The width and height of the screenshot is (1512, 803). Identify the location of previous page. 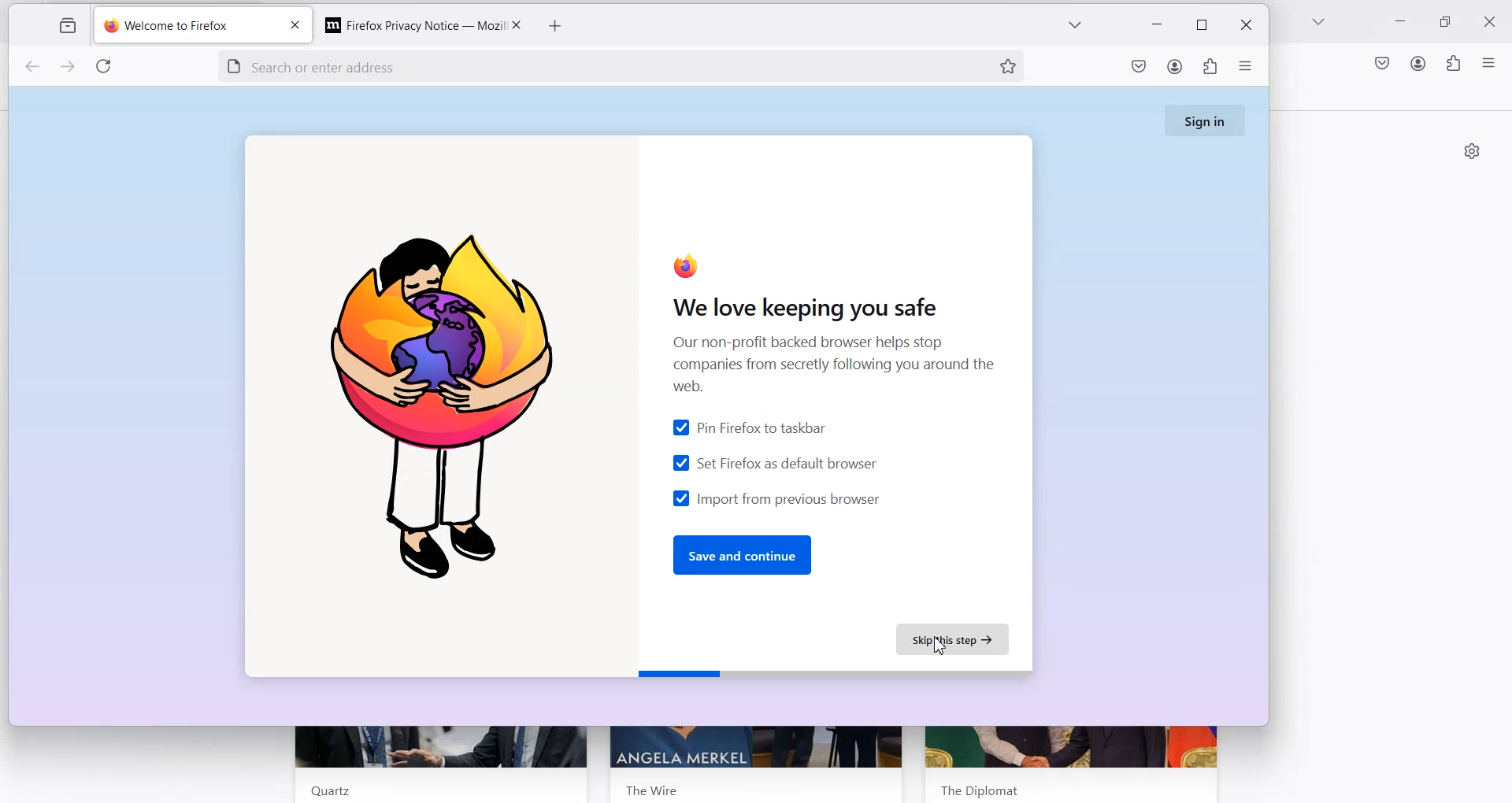
(31, 68).